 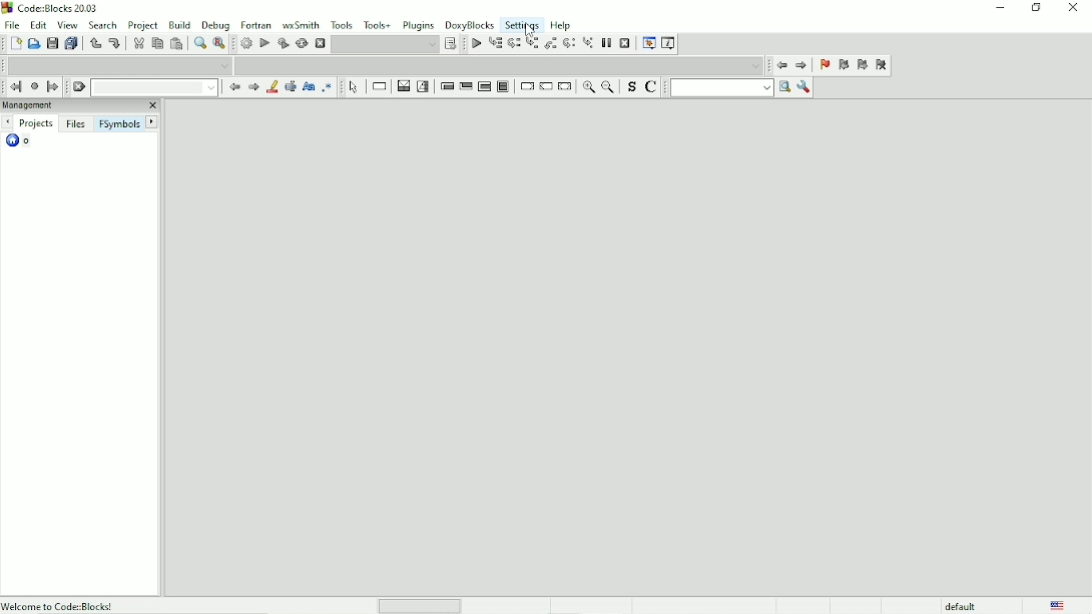 I want to click on Block instruction, so click(x=503, y=87).